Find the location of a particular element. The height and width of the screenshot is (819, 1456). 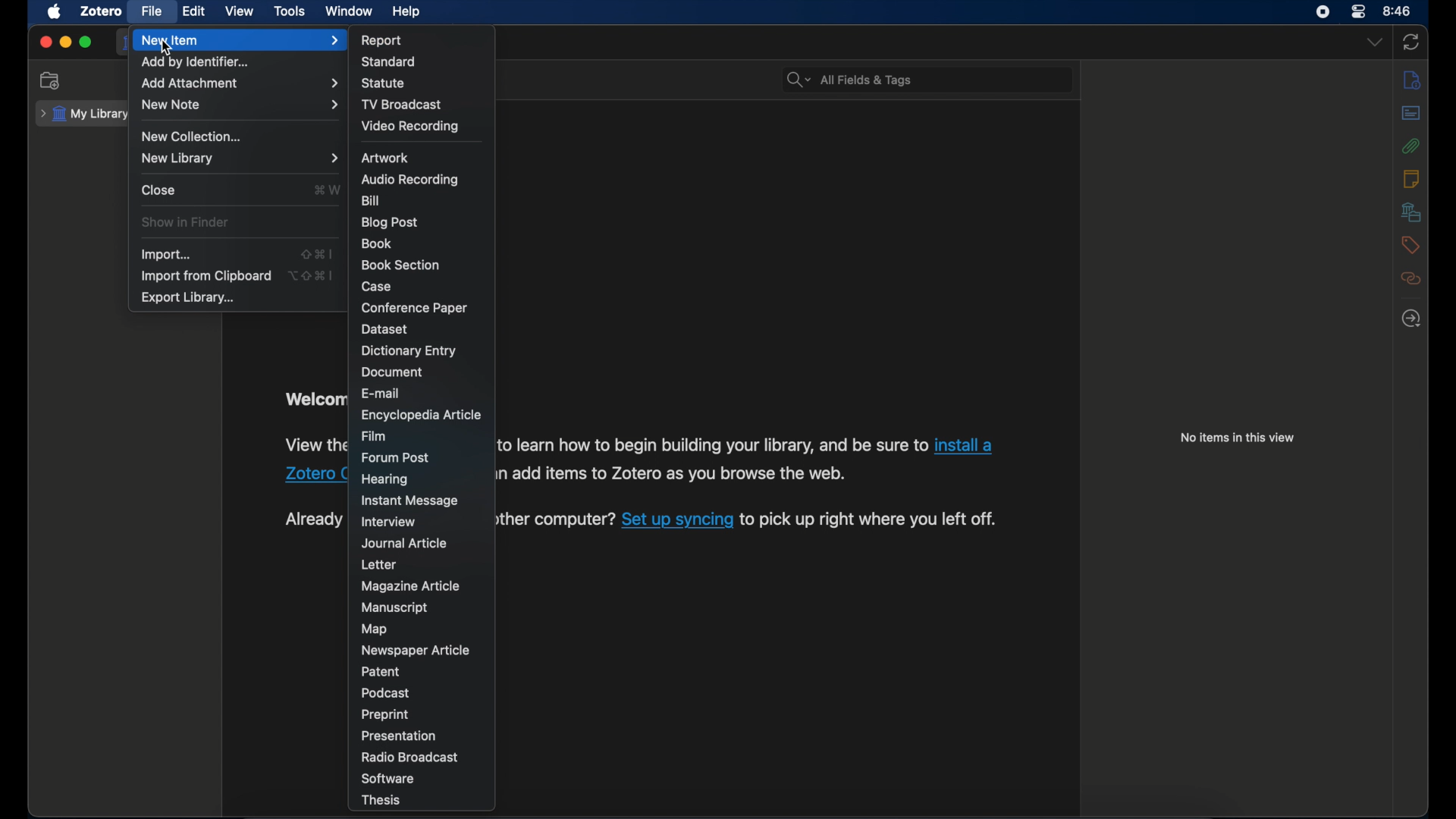

interview is located at coordinates (390, 522).